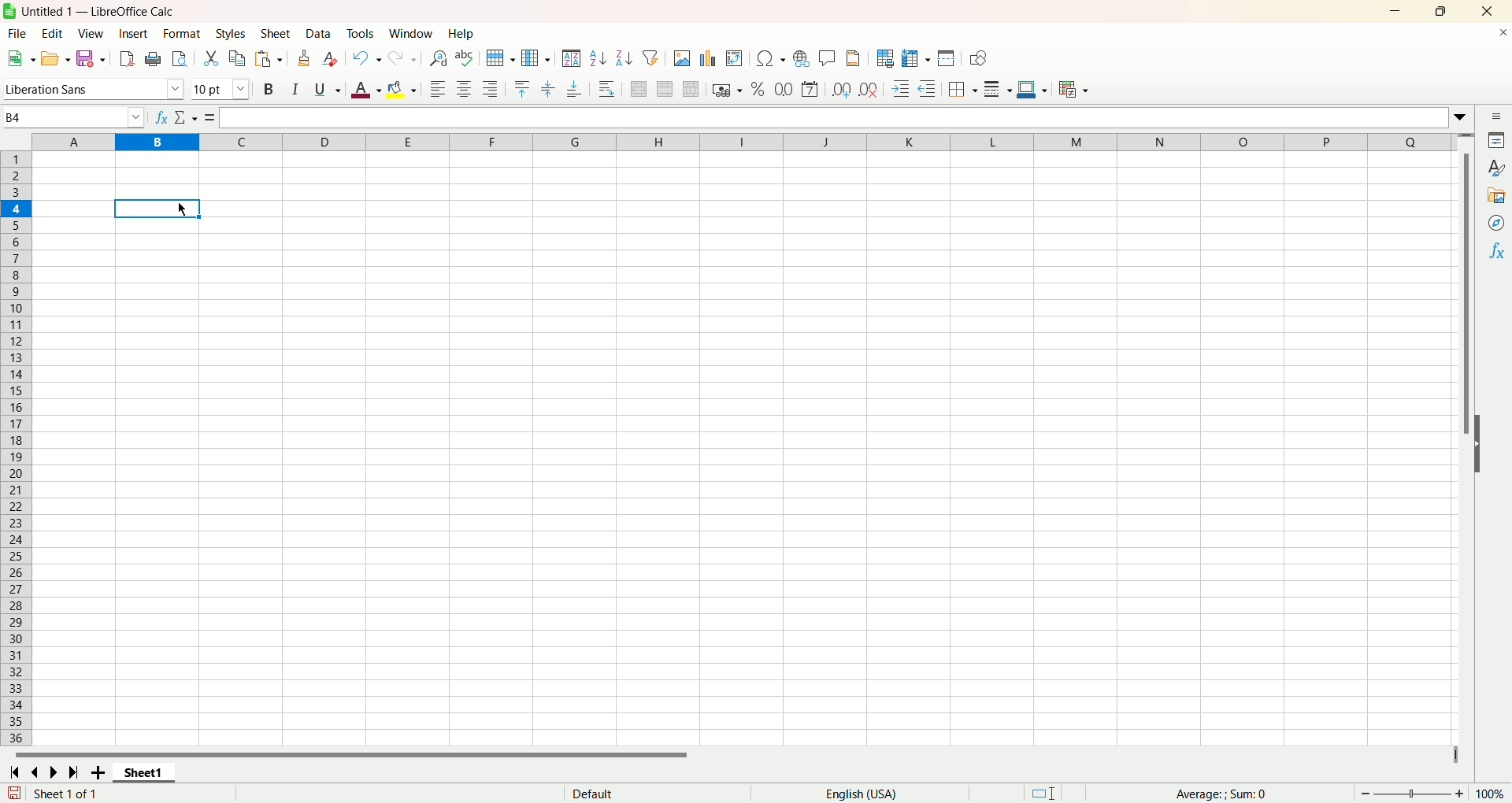  Describe the element at coordinates (843, 90) in the screenshot. I see `add decimal place` at that location.